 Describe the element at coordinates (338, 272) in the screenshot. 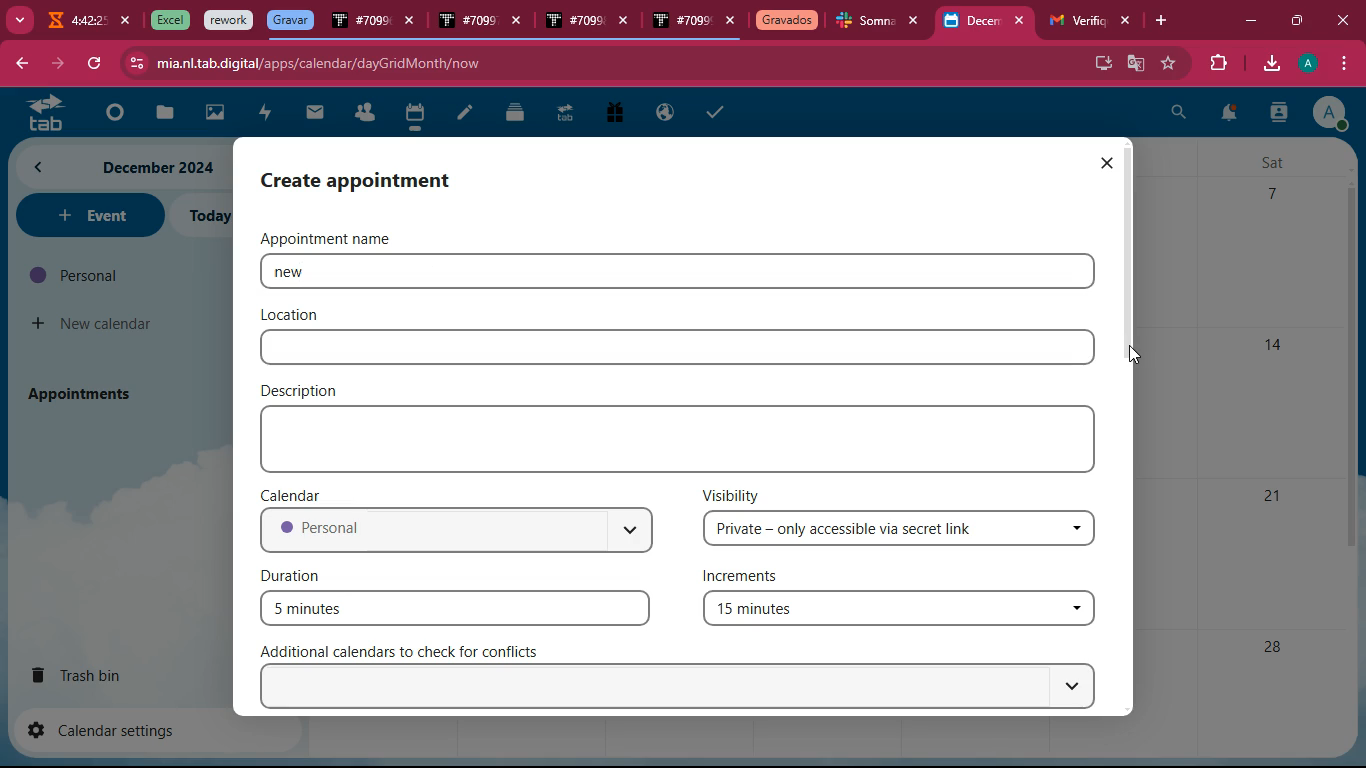

I see `appointment name` at that location.